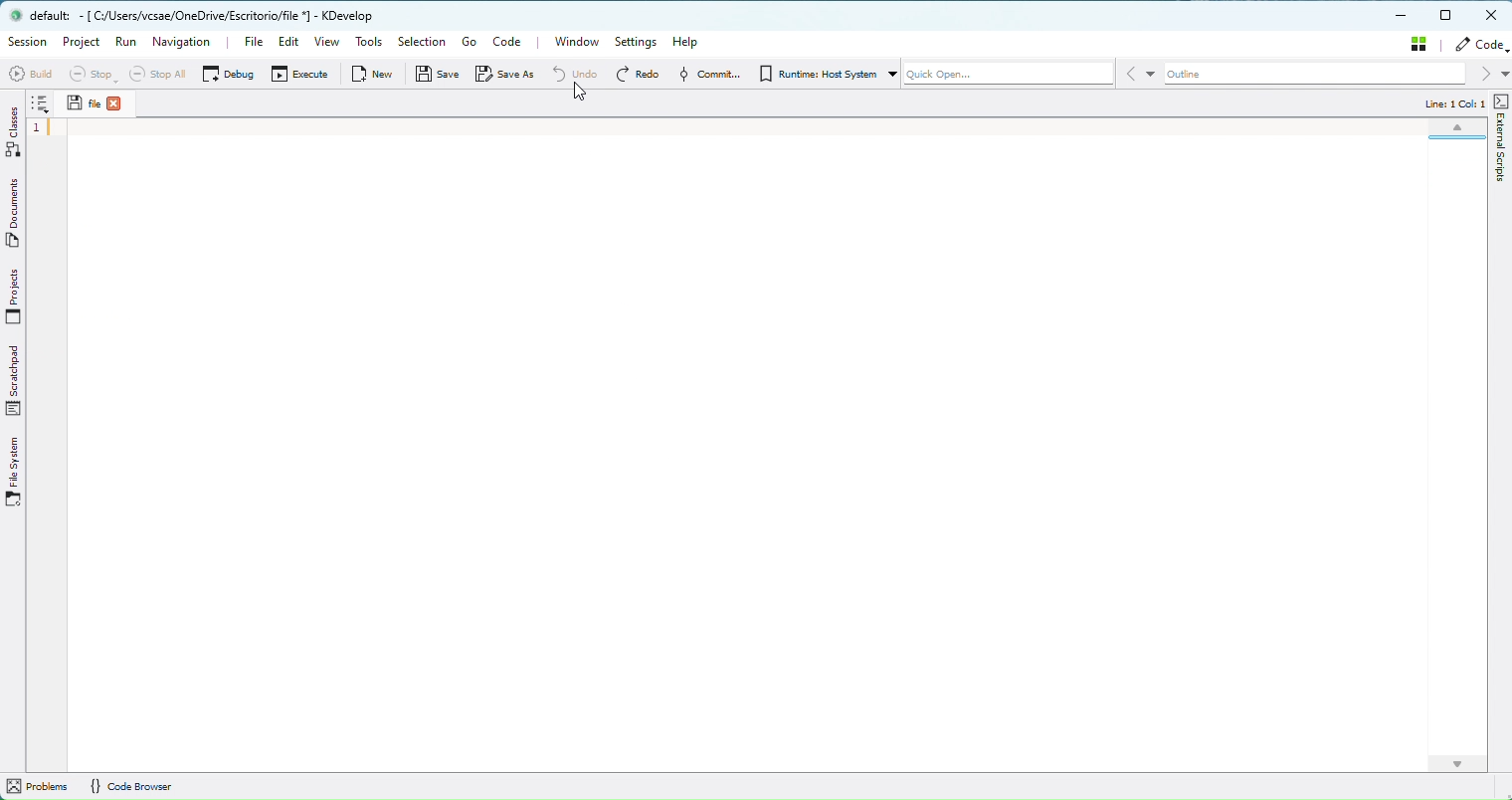 This screenshot has height=800, width=1512. What do you see at coordinates (420, 42) in the screenshot?
I see `Selection` at bounding box center [420, 42].